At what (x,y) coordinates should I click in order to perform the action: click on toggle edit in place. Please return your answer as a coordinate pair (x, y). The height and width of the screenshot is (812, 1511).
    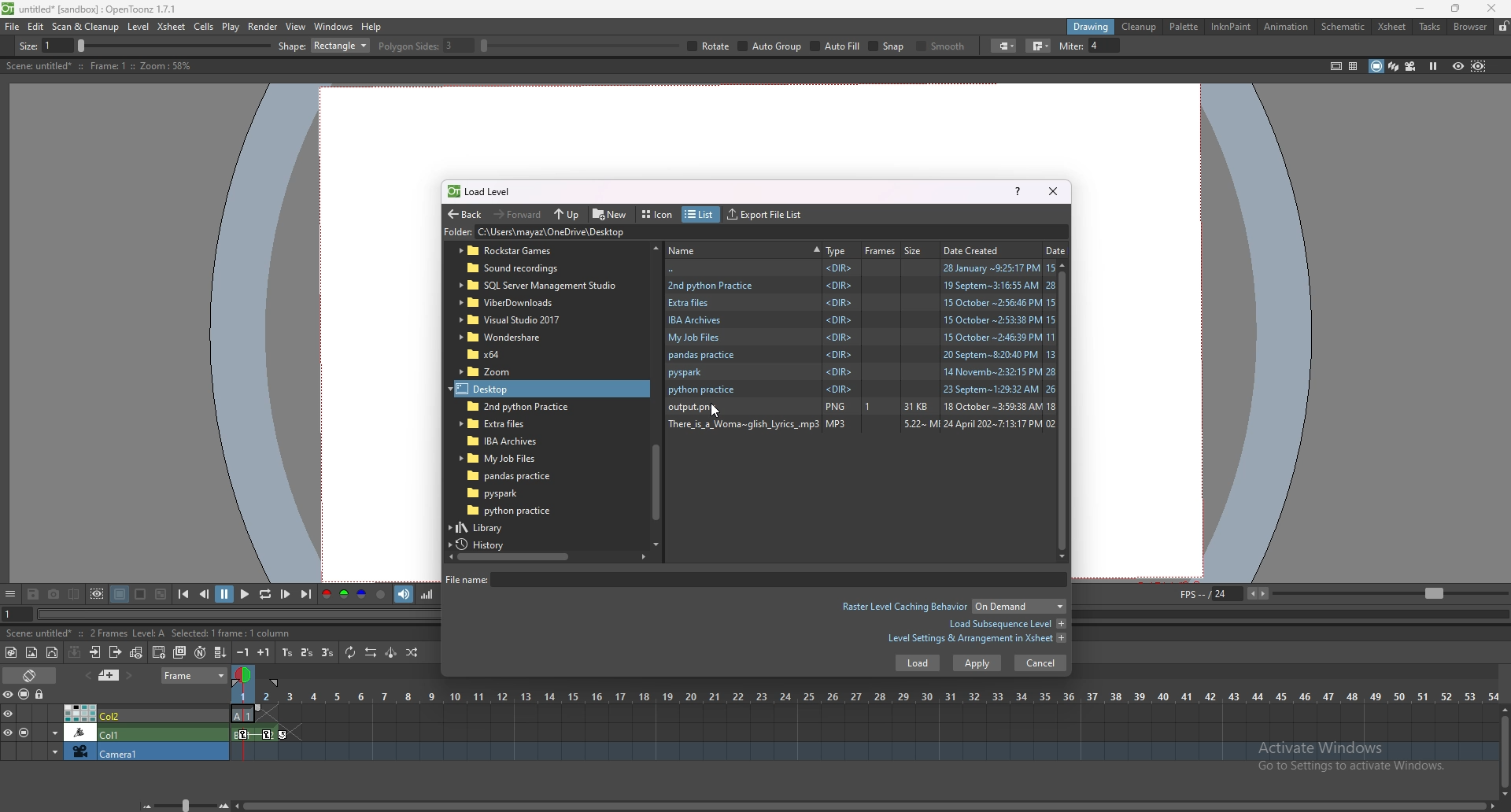
    Looking at the image, I should click on (136, 652).